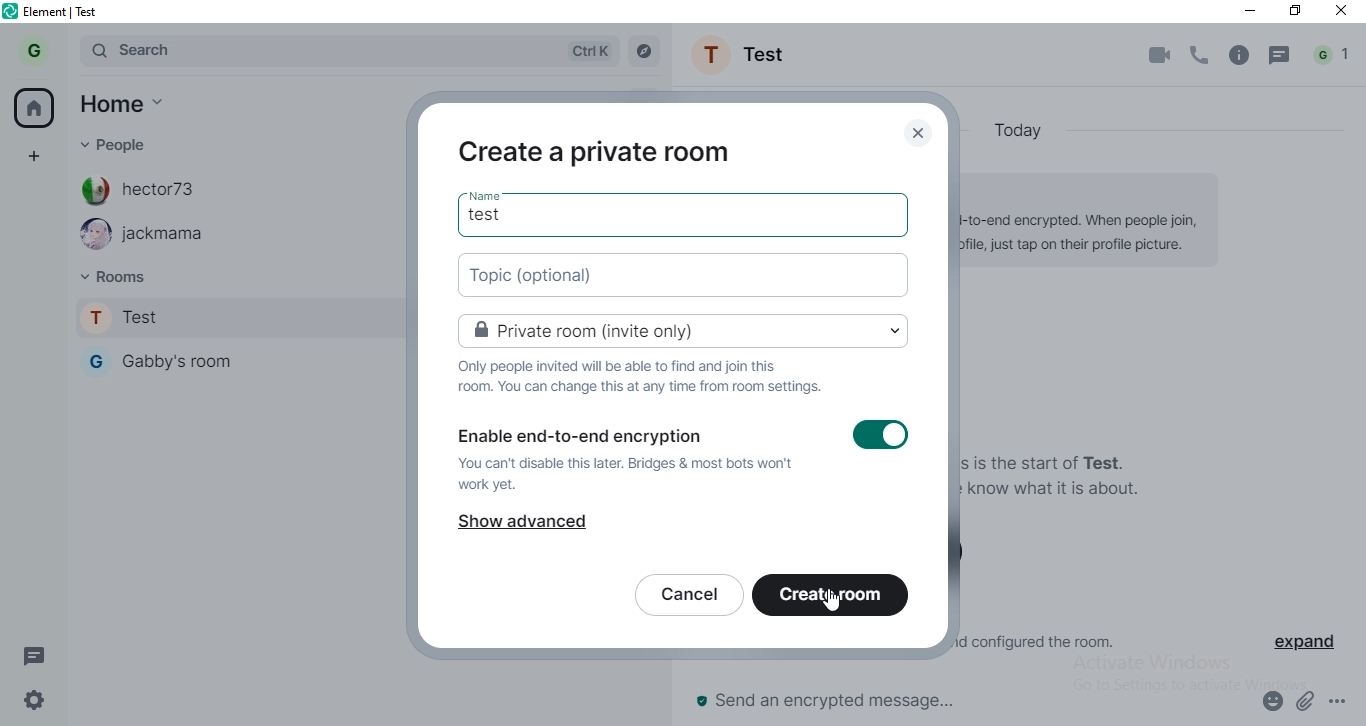  What do you see at coordinates (494, 212) in the screenshot?
I see `test` at bounding box center [494, 212].